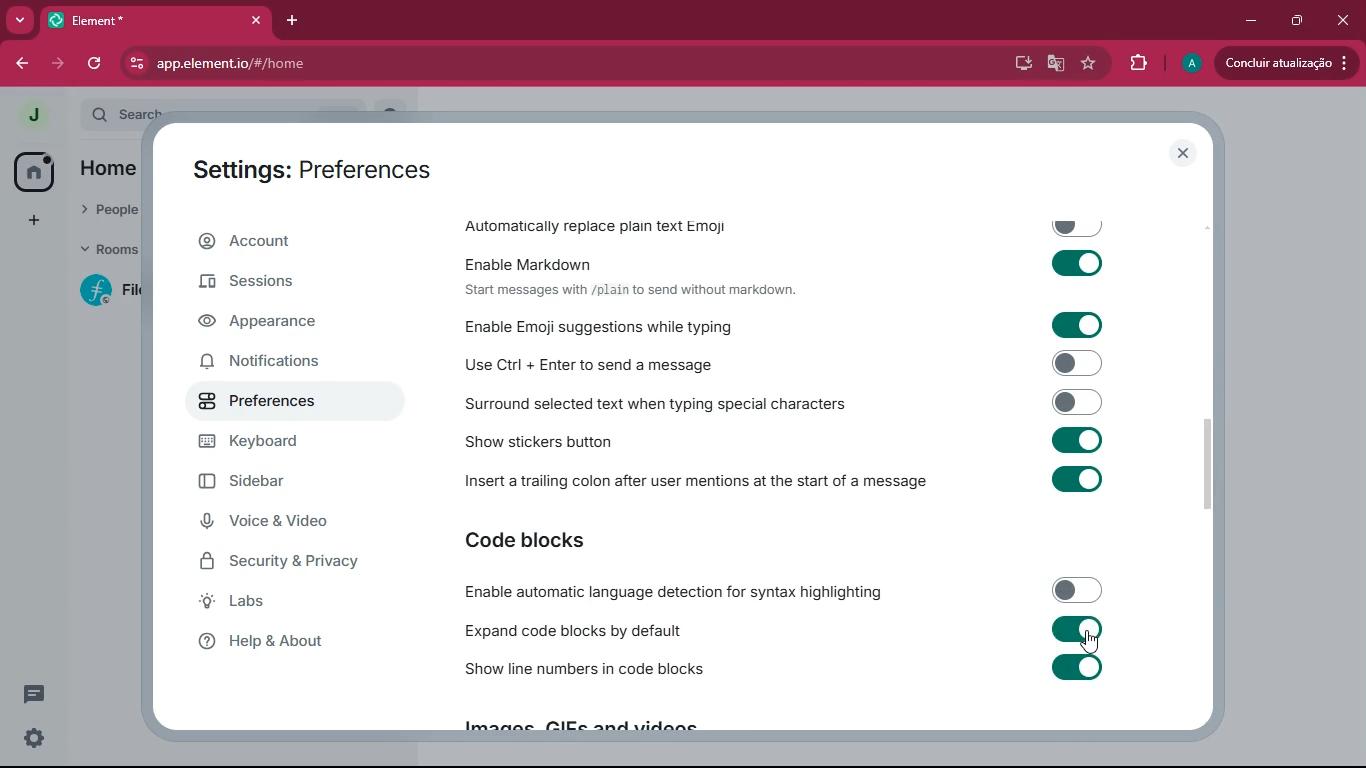  What do you see at coordinates (108, 213) in the screenshot?
I see `people` at bounding box center [108, 213].